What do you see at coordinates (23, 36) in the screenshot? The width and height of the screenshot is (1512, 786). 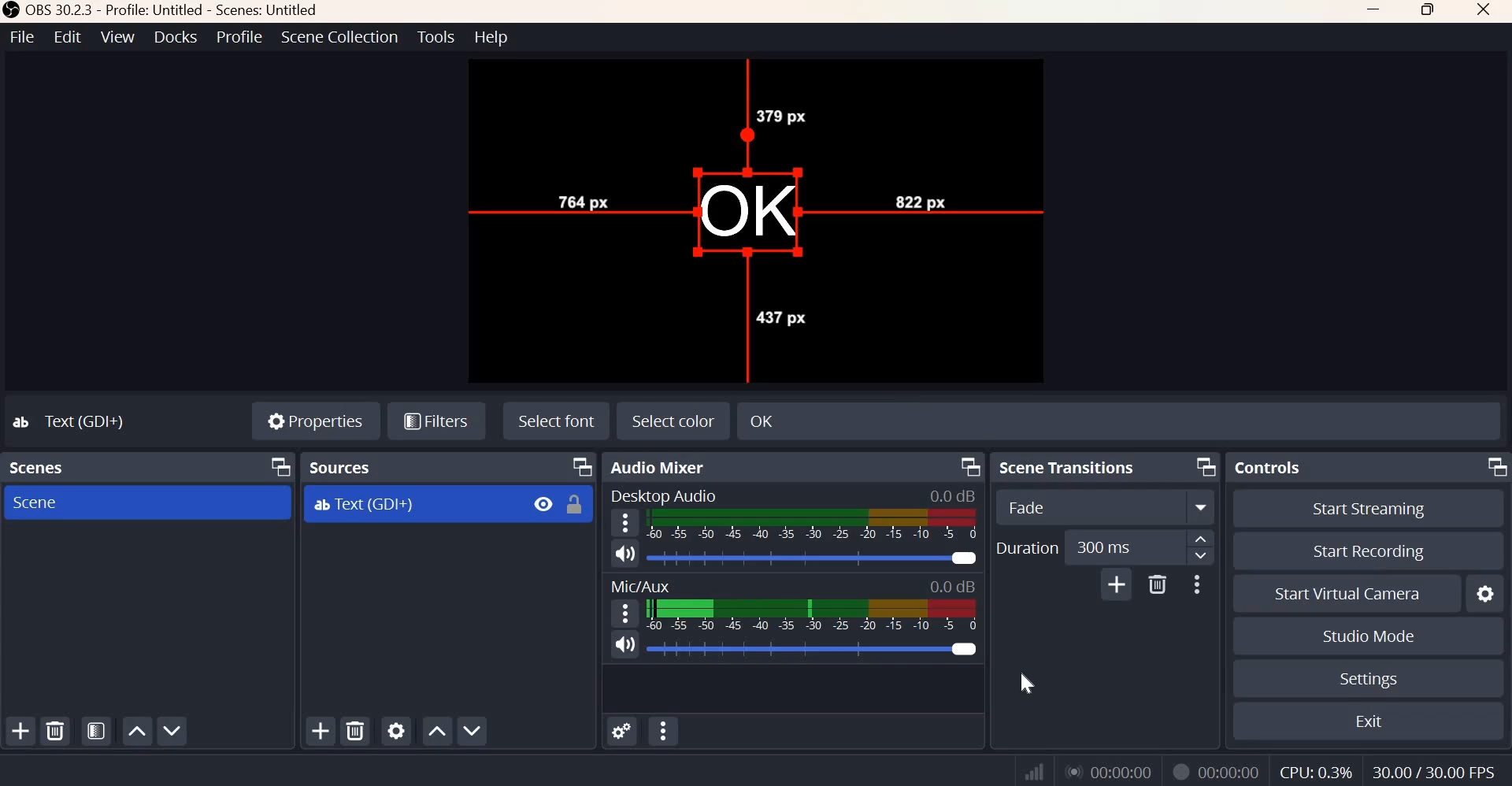 I see `File` at bounding box center [23, 36].